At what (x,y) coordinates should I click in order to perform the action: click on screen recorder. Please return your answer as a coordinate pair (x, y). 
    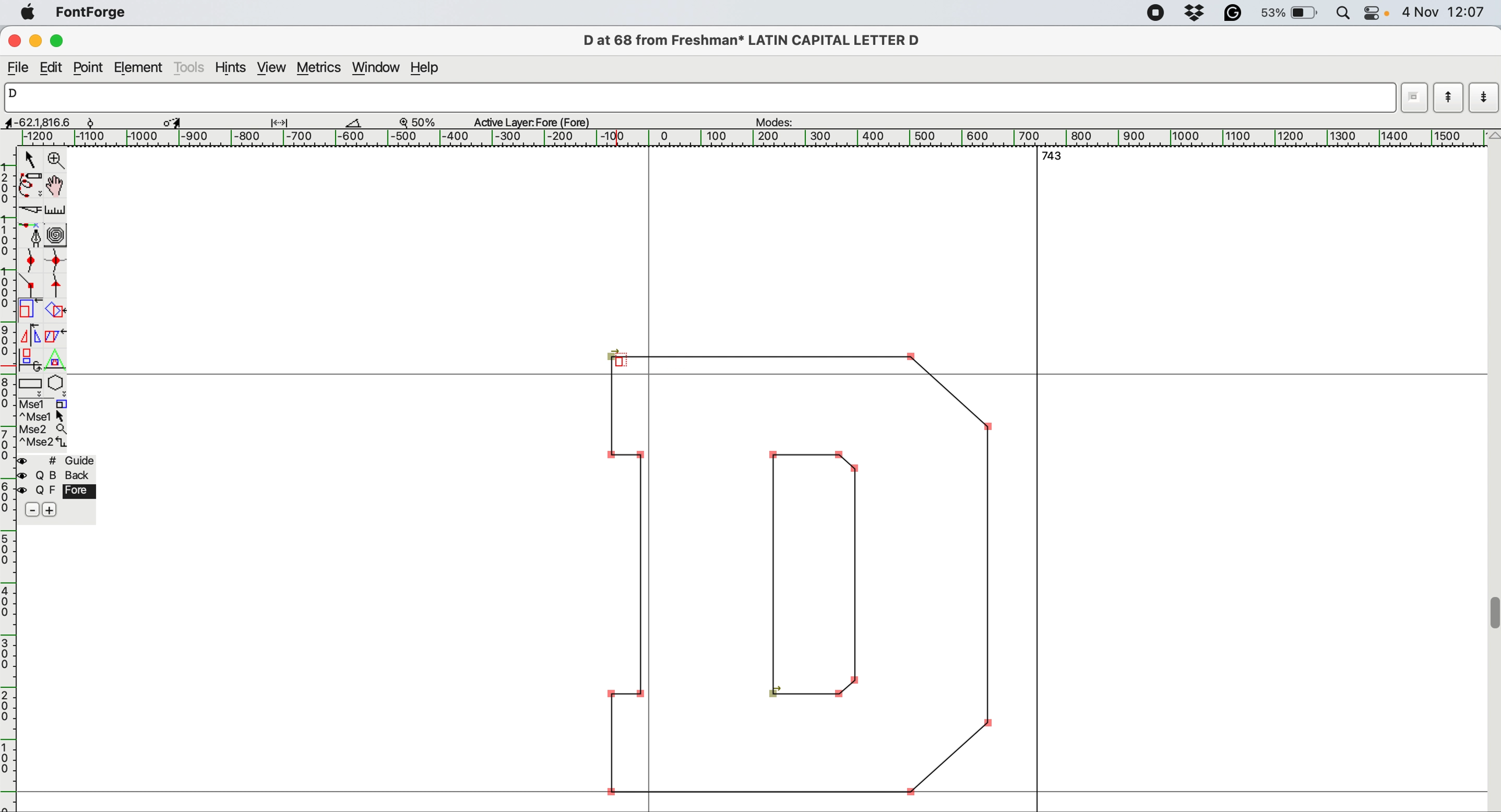
    Looking at the image, I should click on (1158, 15).